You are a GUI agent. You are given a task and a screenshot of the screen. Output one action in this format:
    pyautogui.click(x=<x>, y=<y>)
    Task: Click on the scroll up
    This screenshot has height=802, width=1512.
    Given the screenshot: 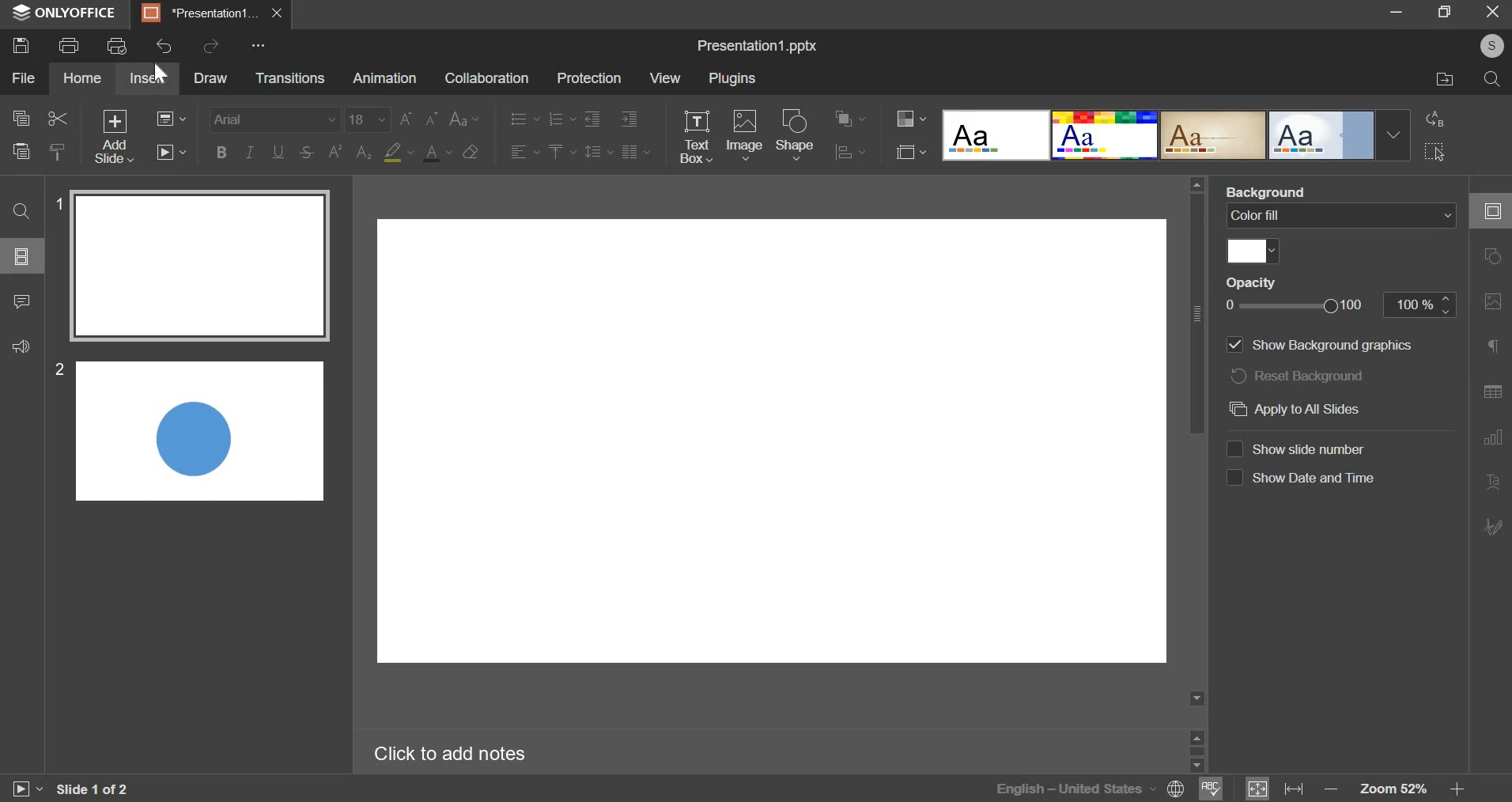 What is the action you would take?
    pyautogui.click(x=1197, y=183)
    